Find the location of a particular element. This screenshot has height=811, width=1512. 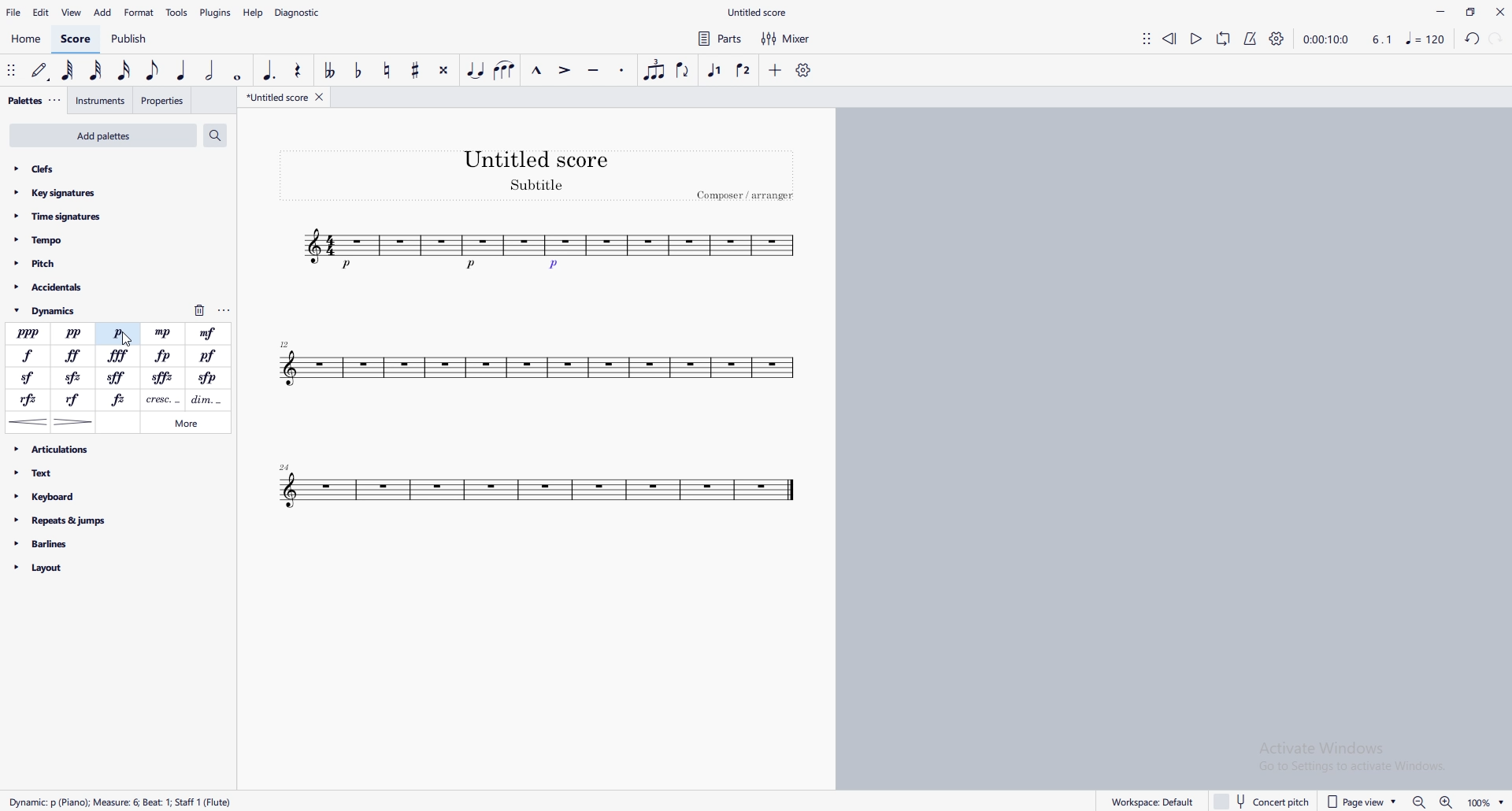

16th note is located at coordinates (124, 71).